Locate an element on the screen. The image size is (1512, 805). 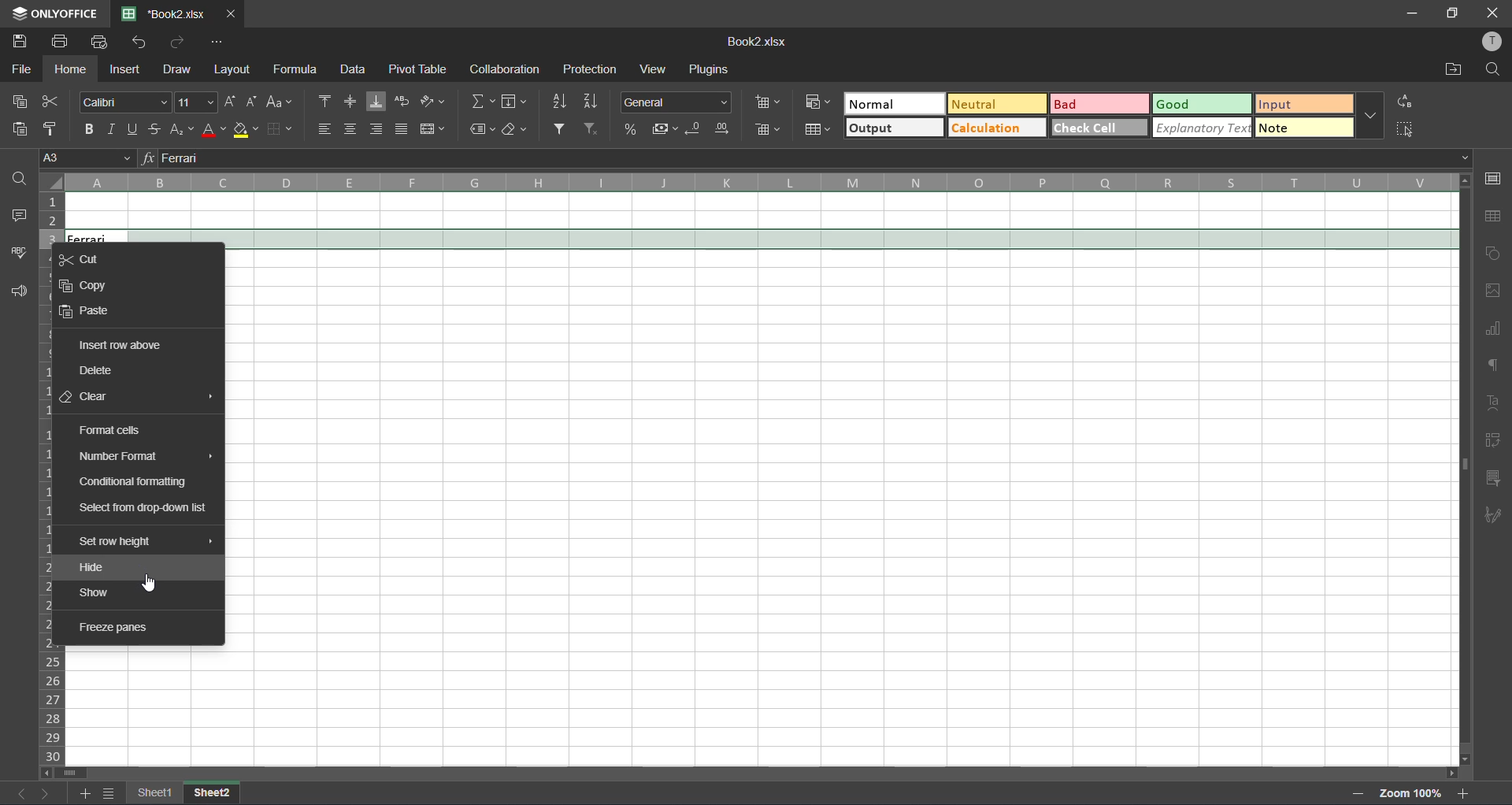
conditional formatting is located at coordinates (822, 104).